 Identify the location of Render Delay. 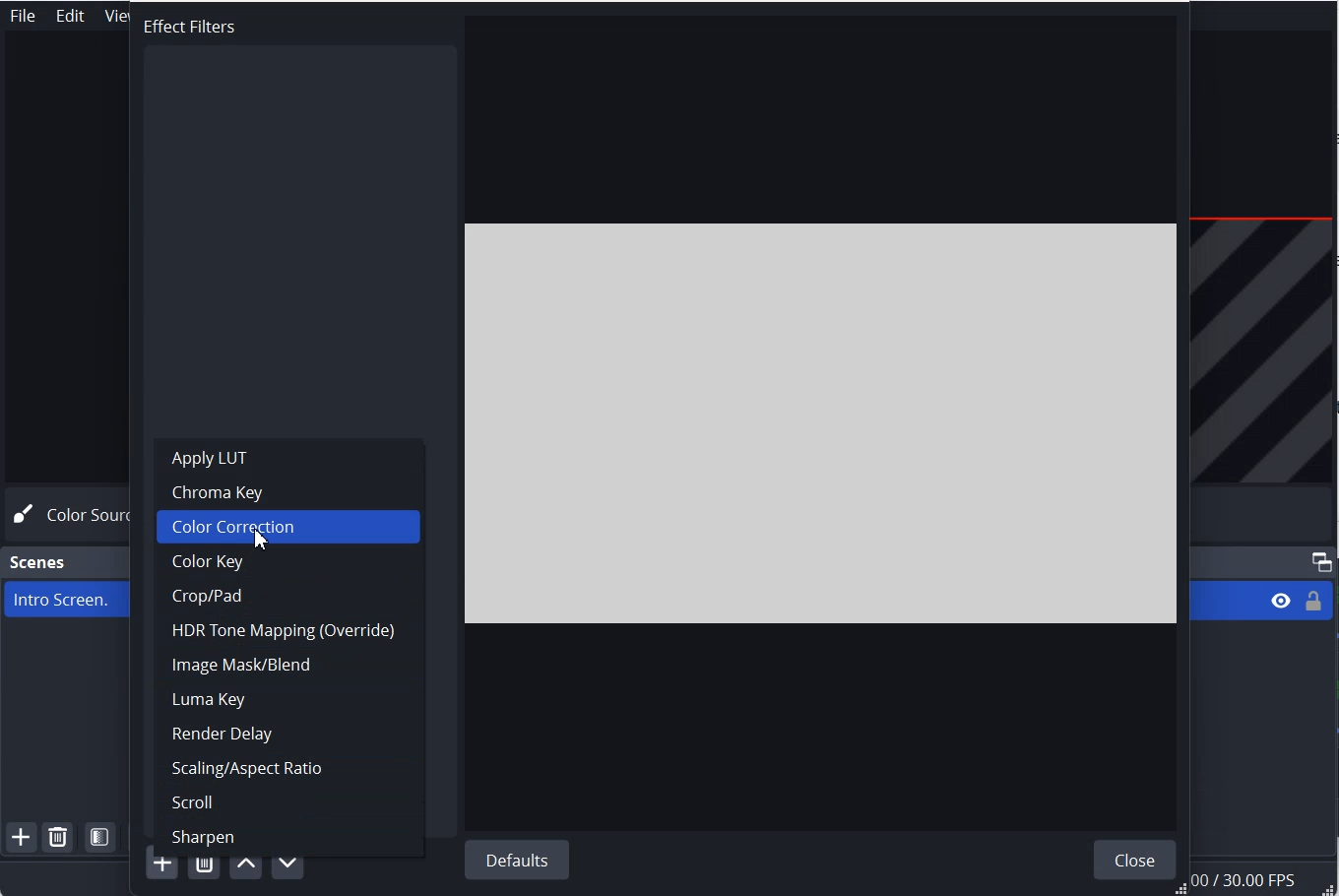
(287, 732).